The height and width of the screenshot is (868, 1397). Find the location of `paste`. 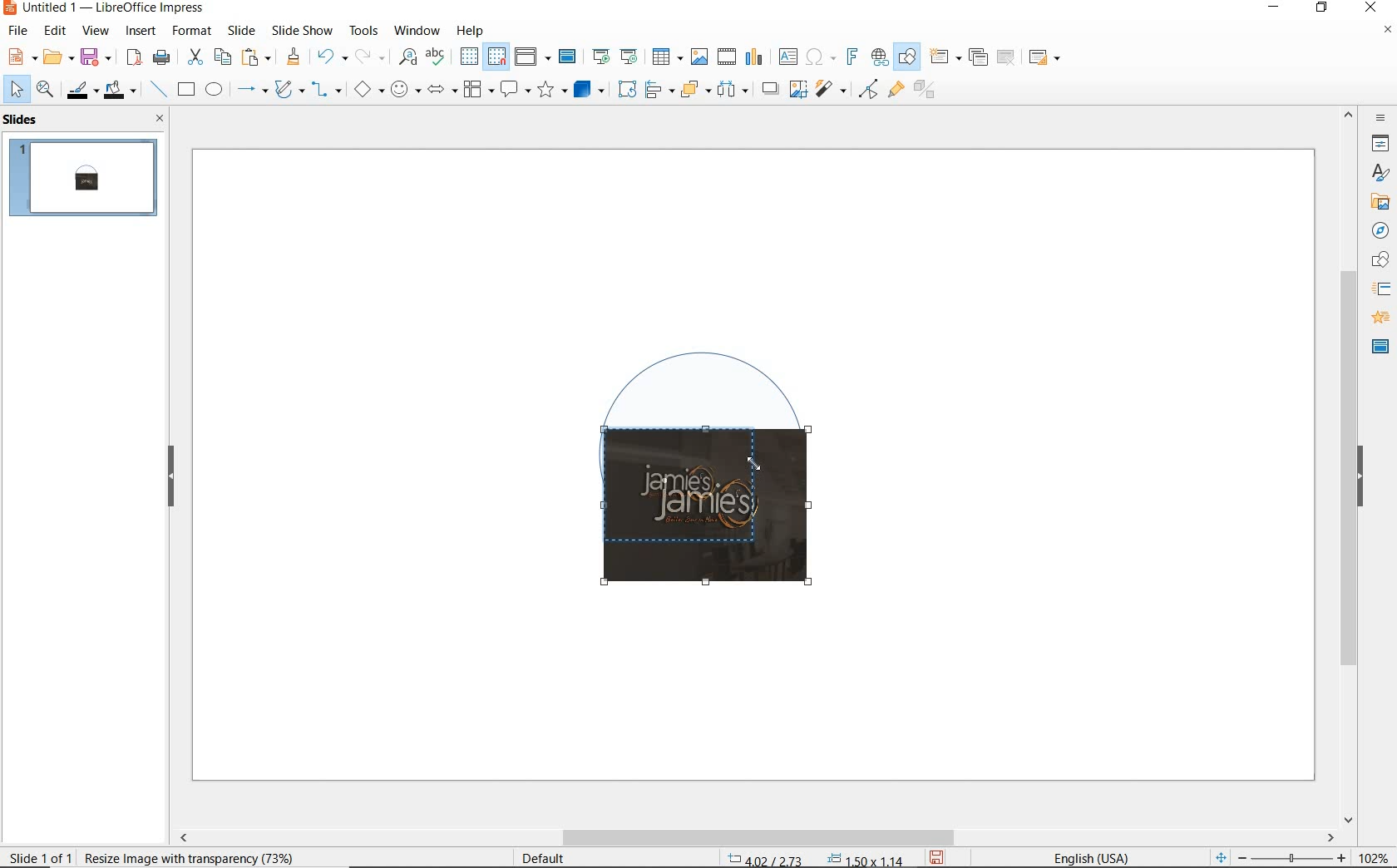

paste is located at coordinates (257, 57).